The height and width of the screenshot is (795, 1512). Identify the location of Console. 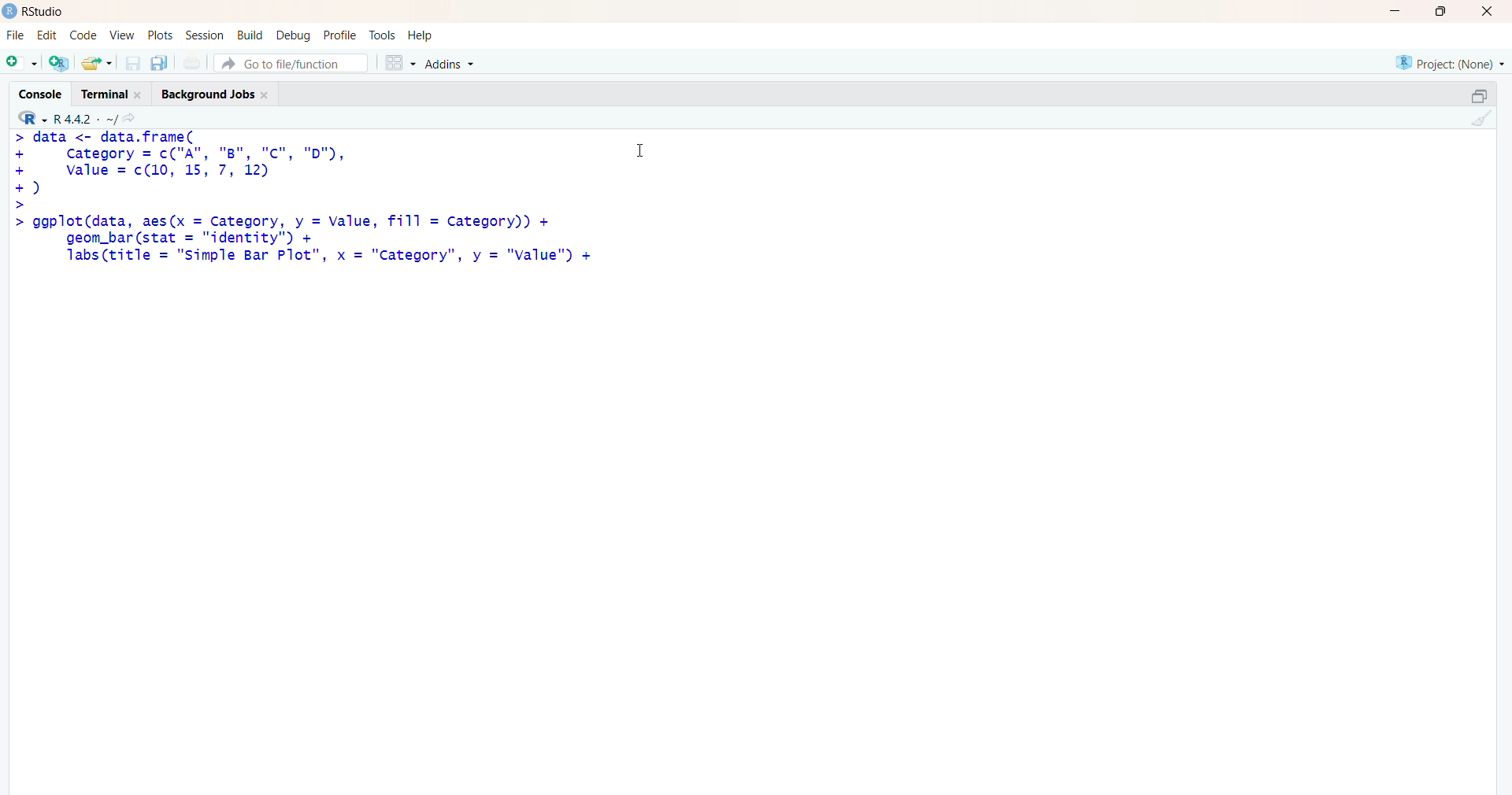
(44, 92).